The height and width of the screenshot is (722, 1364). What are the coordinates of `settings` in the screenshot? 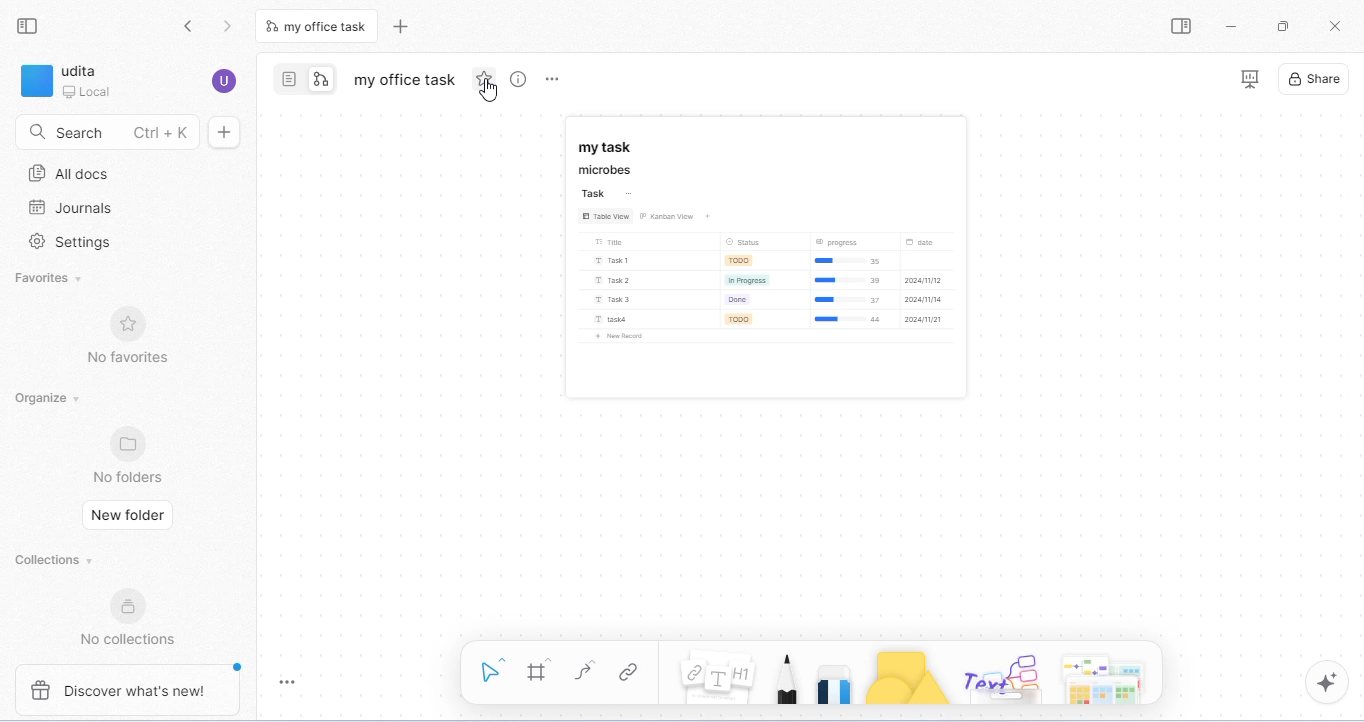 It's located at (75, 241).